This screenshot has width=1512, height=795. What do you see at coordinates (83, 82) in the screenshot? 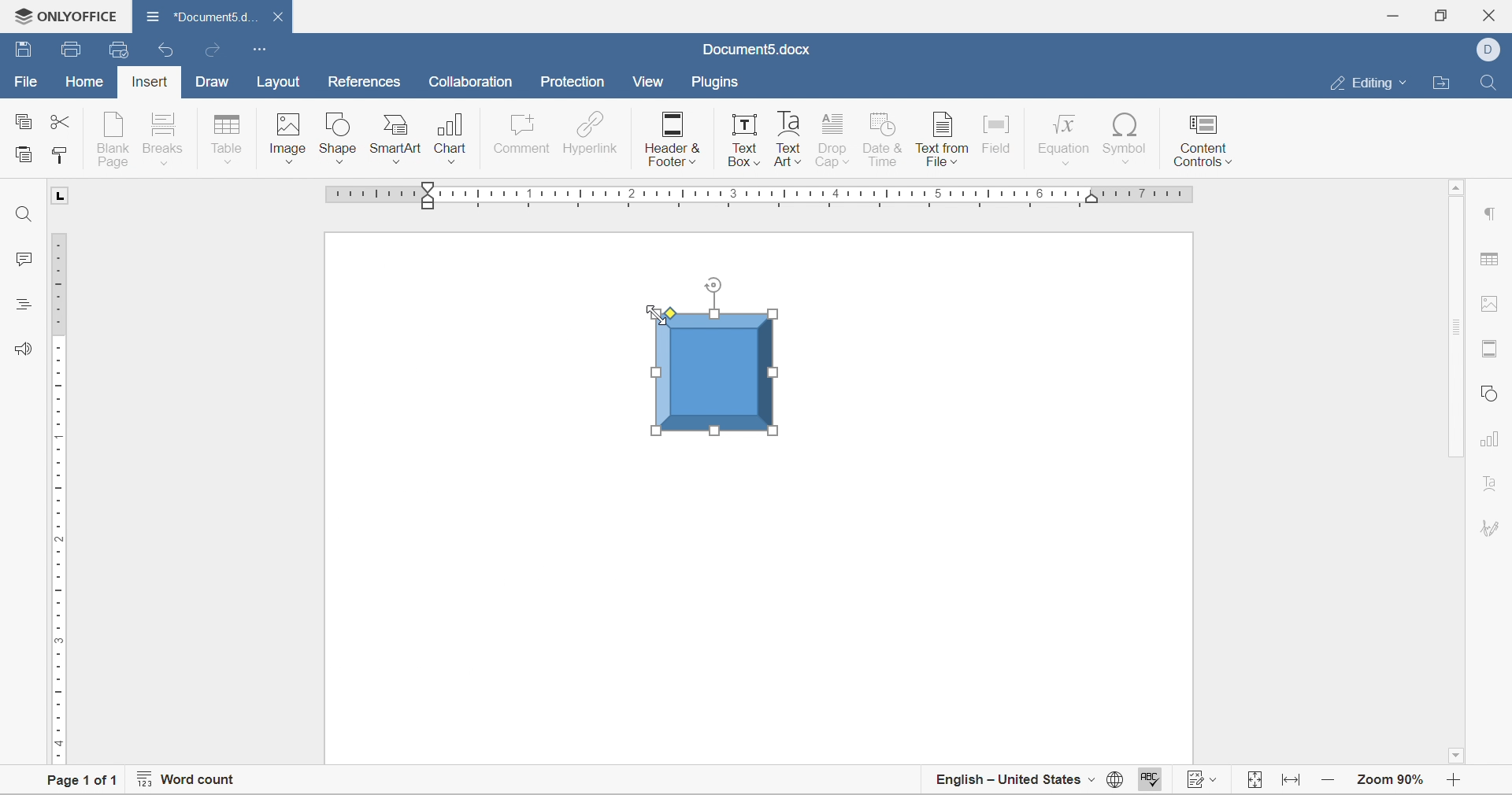
I see `home` at bounding box center [83, 82].